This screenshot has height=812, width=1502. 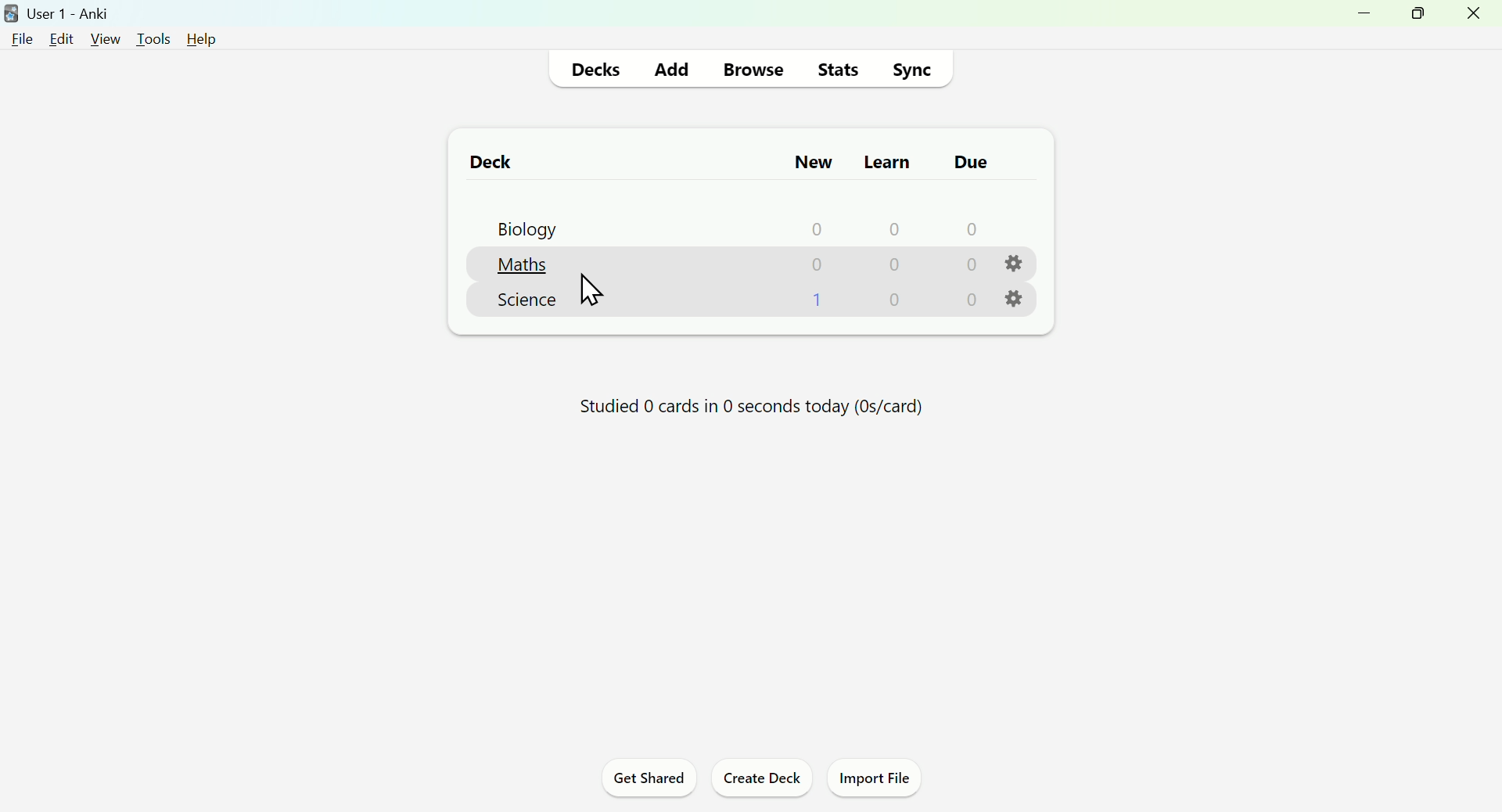 What do you see at coordinates (839, 68) in the screenshot?
I see `Stats` at bounding box center [839, 68].